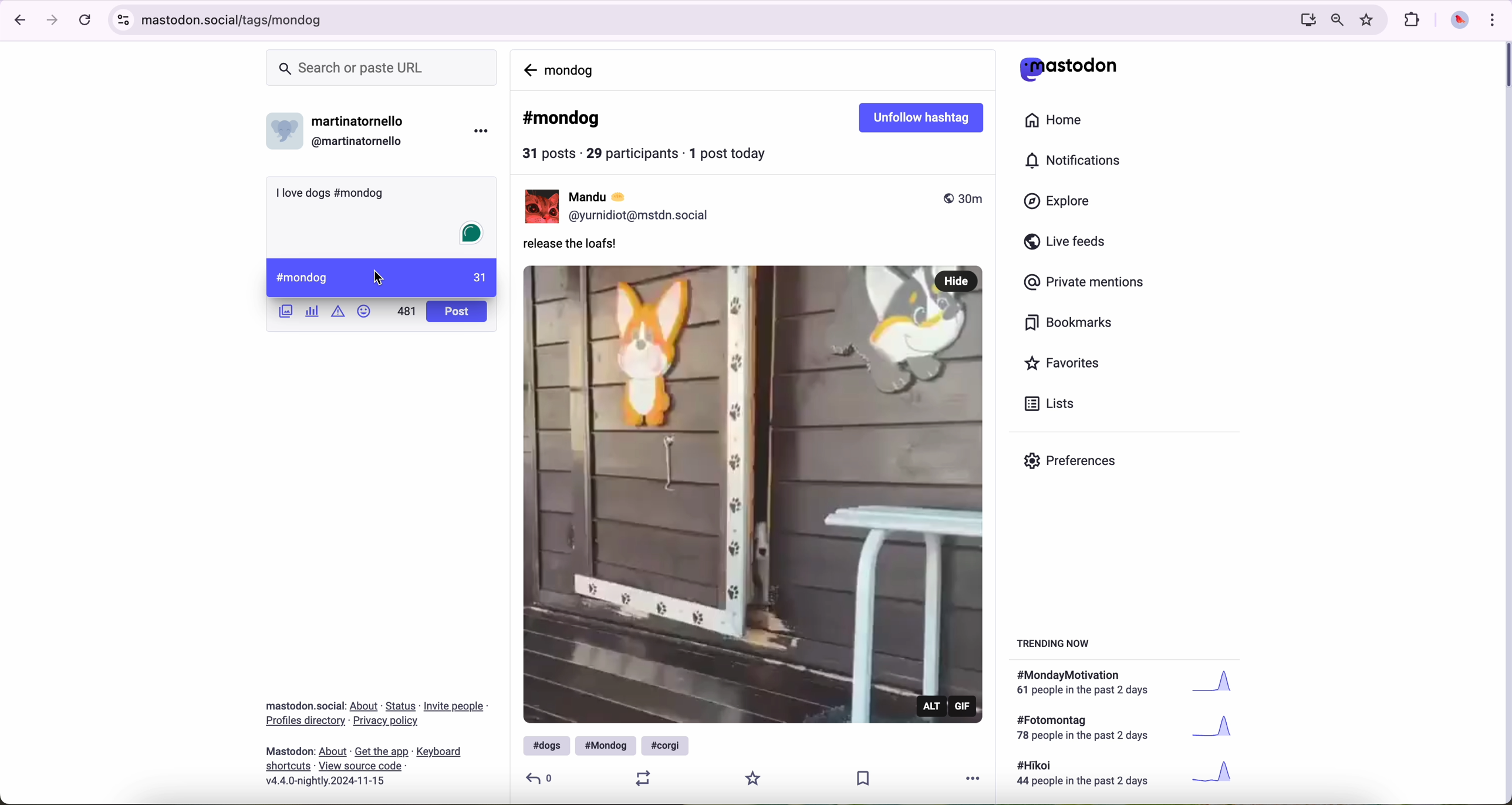 This screenshot has width=1512, height=805. I want to click on create a poll, so click(313, 311).